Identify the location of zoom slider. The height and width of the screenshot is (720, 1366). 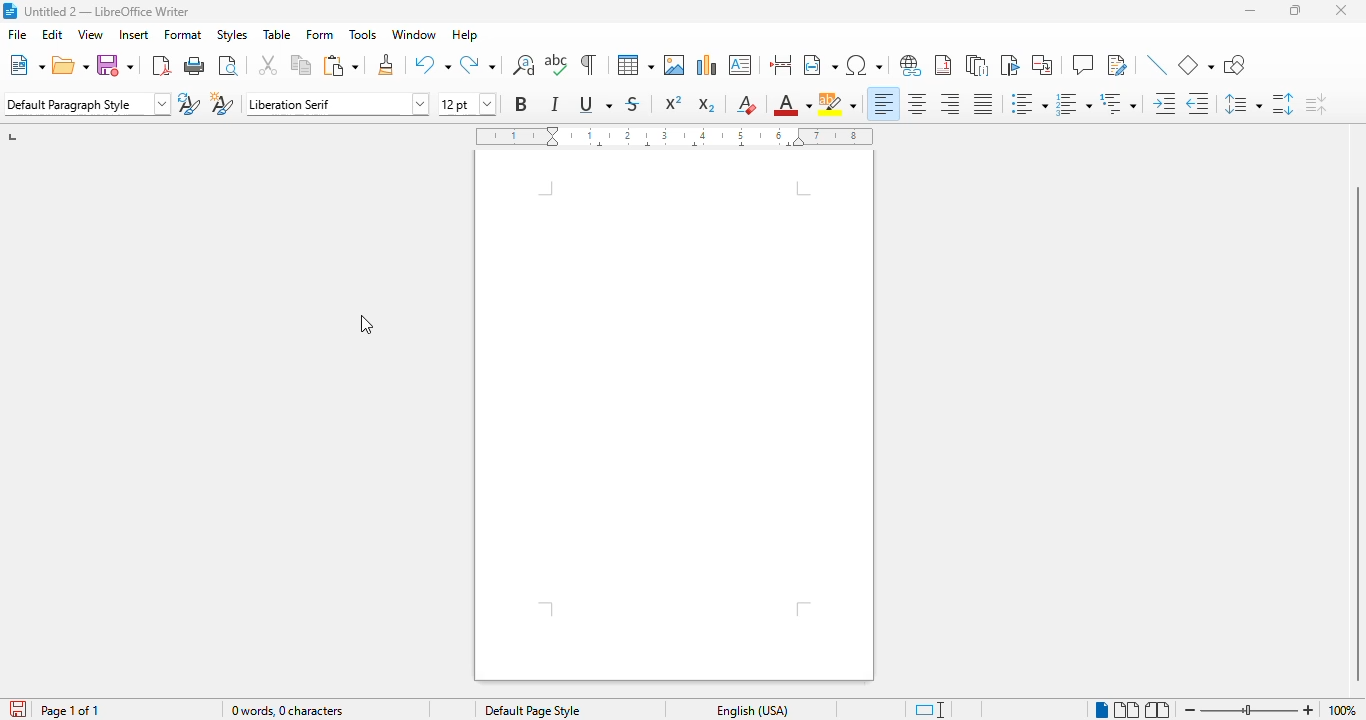
(1251, 708).